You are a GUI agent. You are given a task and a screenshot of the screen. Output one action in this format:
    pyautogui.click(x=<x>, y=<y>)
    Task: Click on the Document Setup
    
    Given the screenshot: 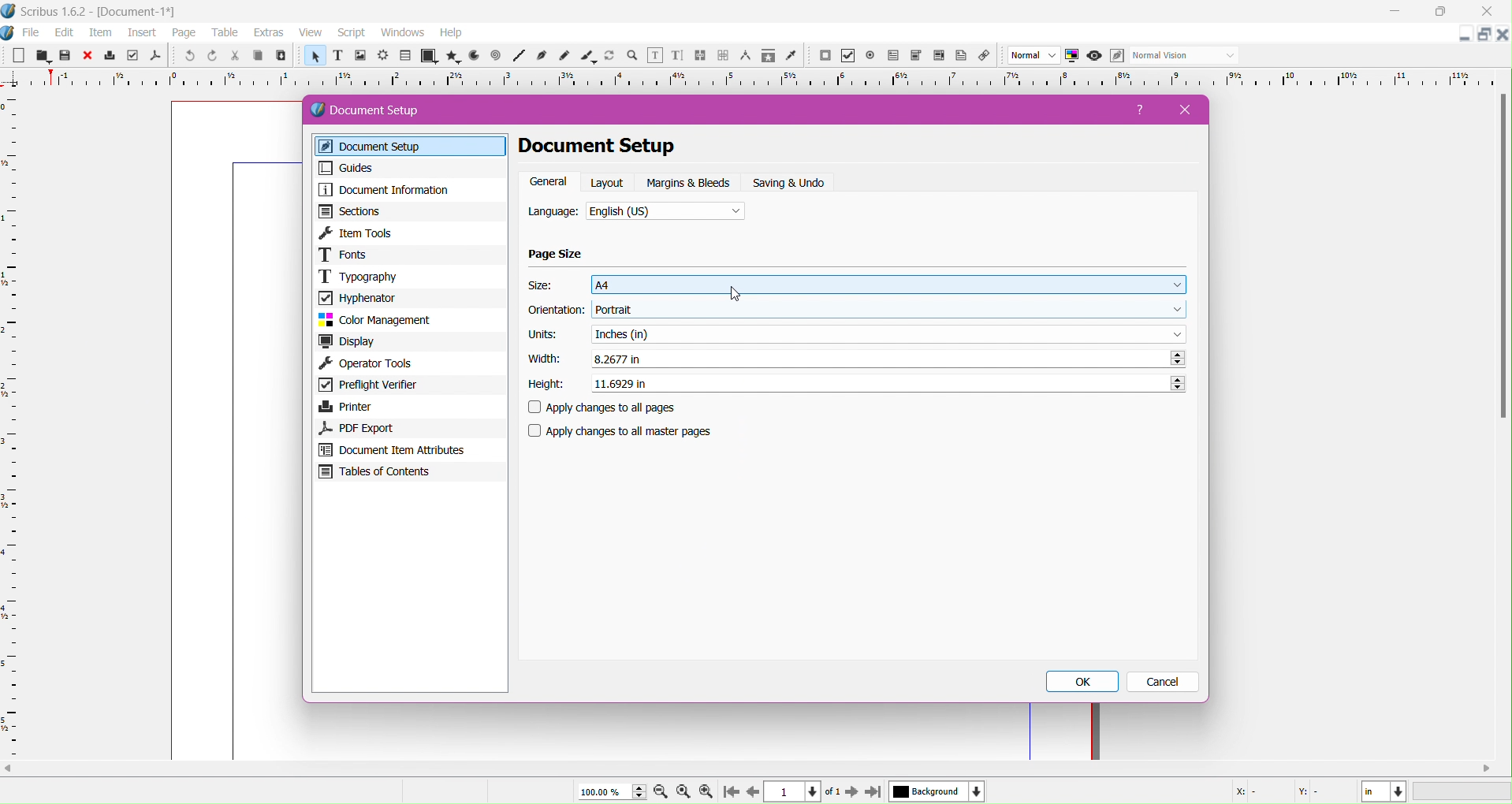 What is the action you would take?
    pyautogui.click(x=414, y=147)
    